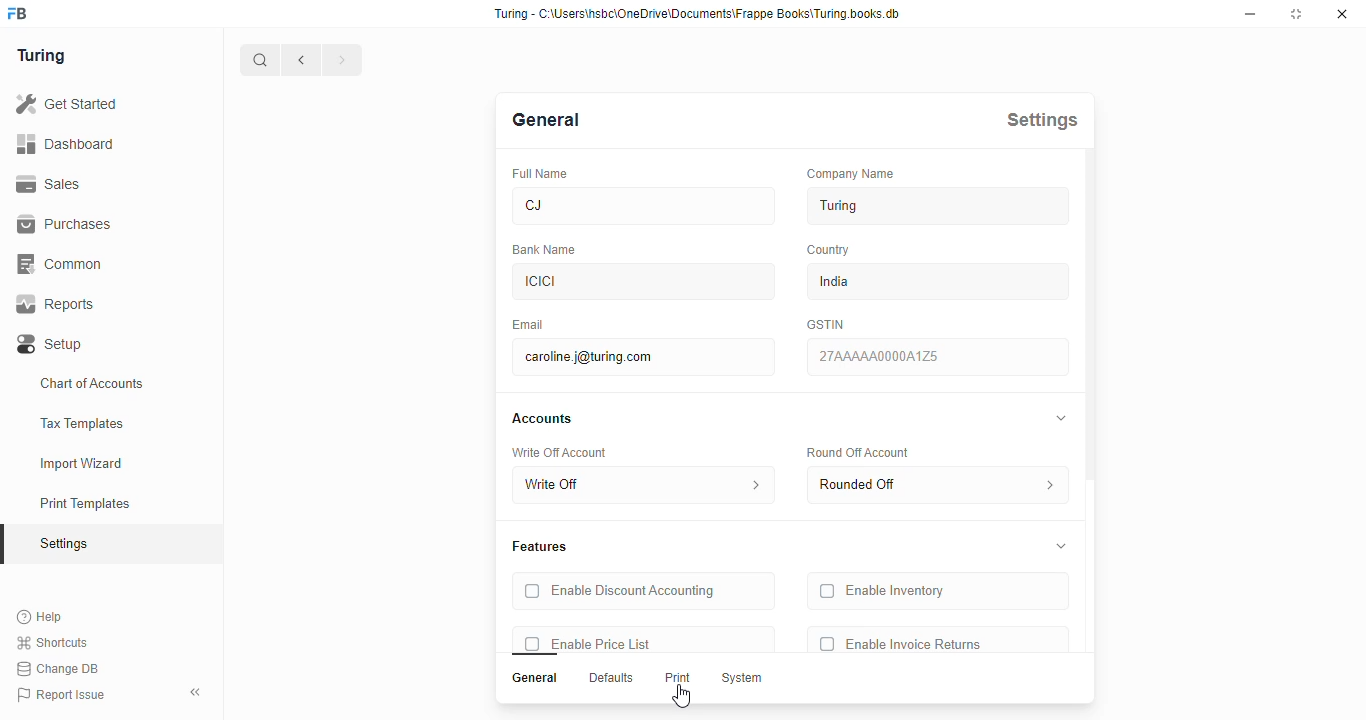 The width and height of the screenshot is (1366, 720). Describe the element at coordinates (642, 357) in the screenshot. I see `caroline.j@turing.com` at that location.